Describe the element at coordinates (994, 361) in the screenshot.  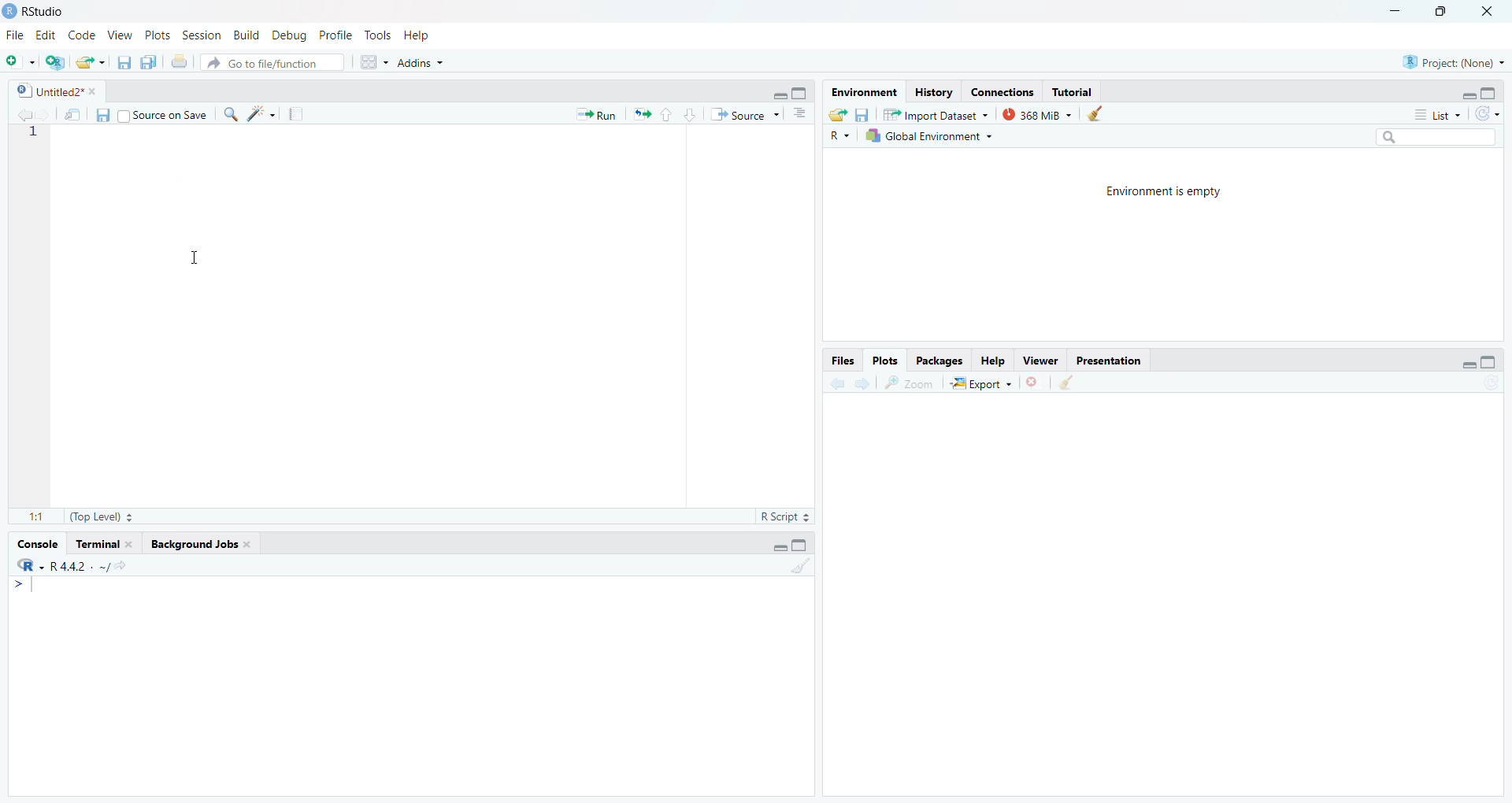
I see `Help` at that location.